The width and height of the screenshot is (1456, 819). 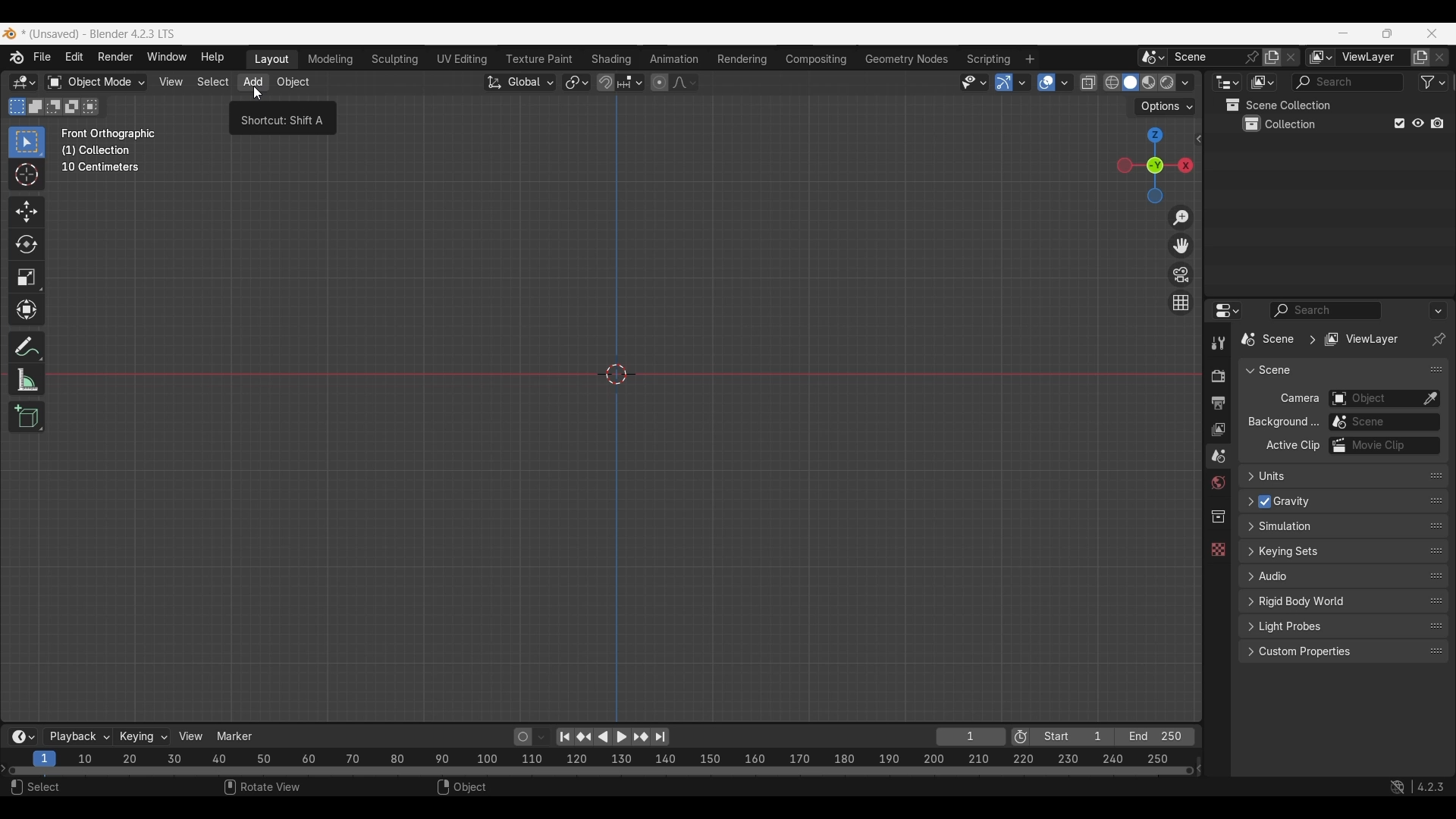 What do you see at coordinates (1397, 788) in the screenshot?
I see `Show system preferences "Network" panel to allow online access` at bounding box center [1397, 788].